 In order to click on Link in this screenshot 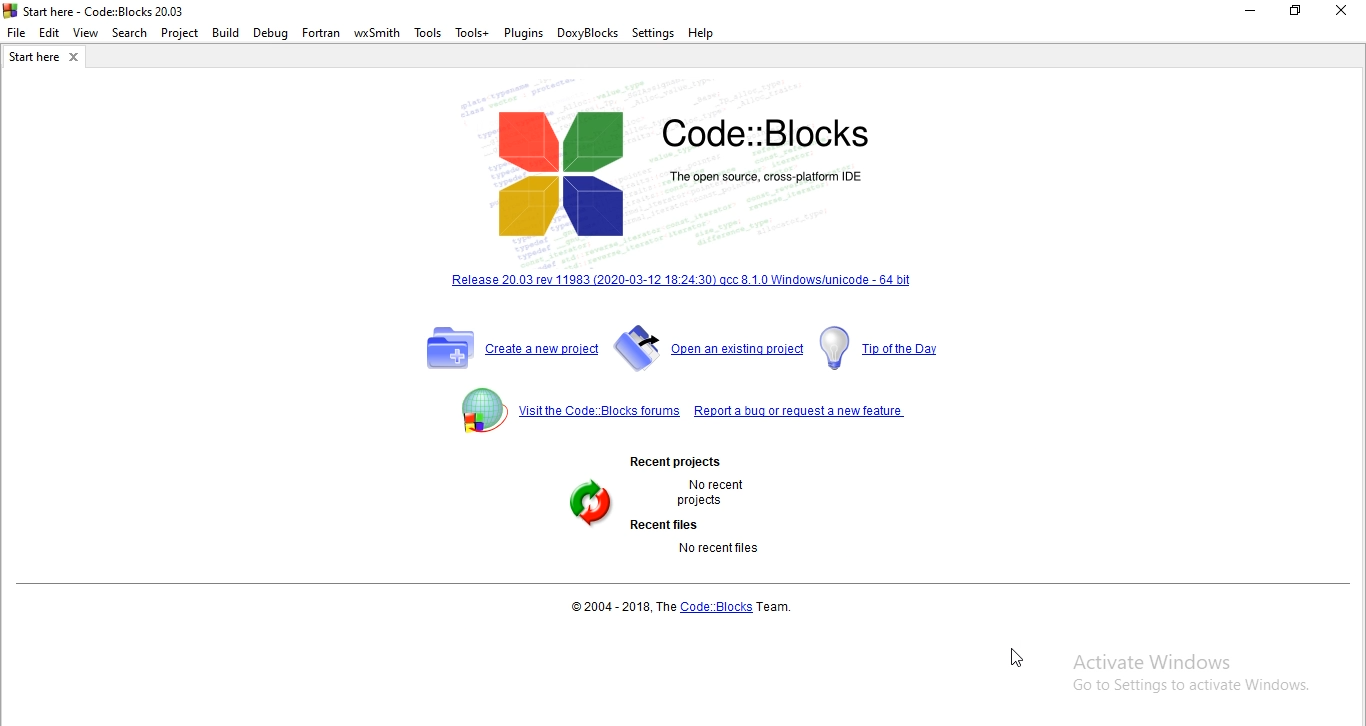, I will do `click(738, 348)`.